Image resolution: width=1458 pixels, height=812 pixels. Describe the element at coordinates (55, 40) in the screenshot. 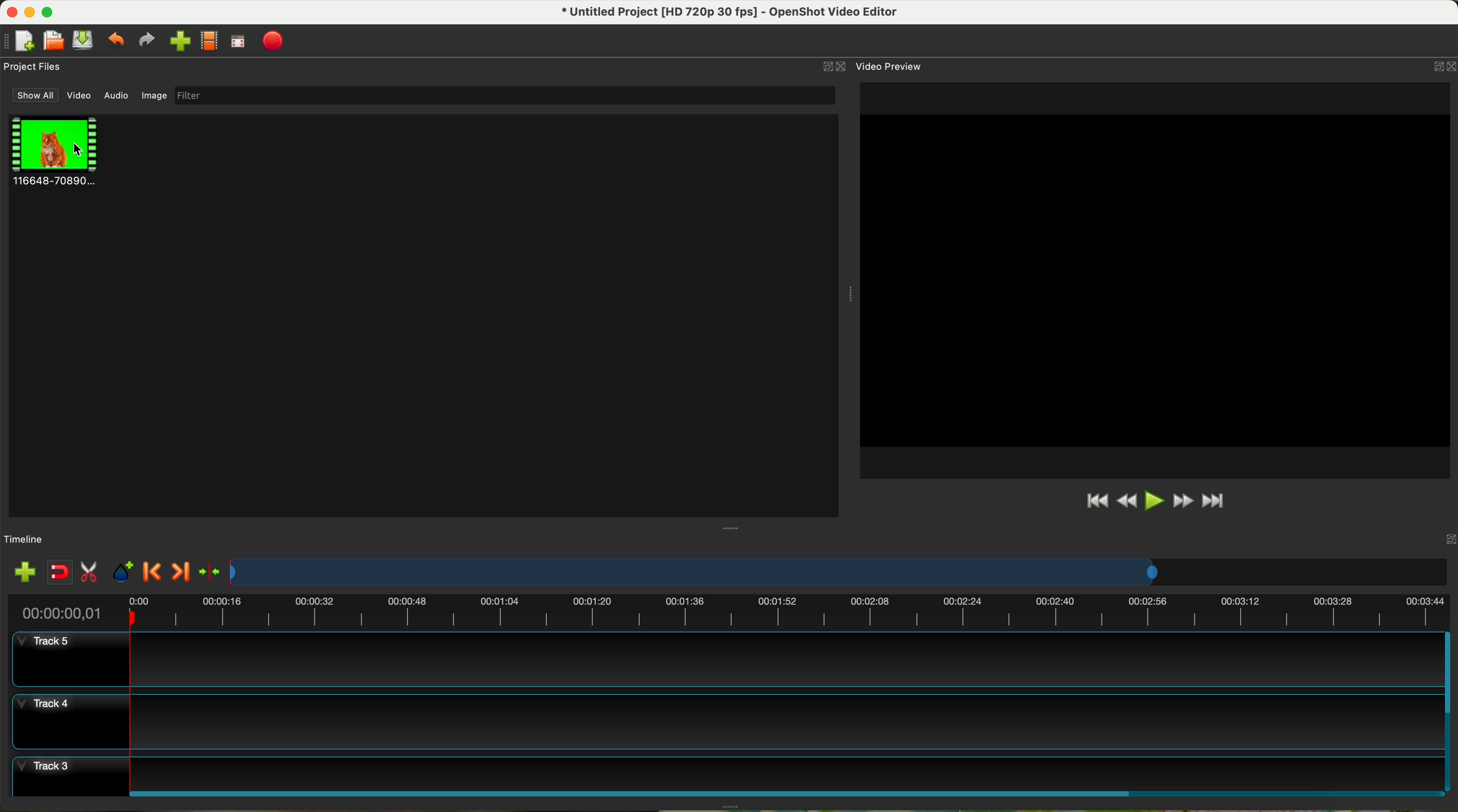

I see `open project` at that location.